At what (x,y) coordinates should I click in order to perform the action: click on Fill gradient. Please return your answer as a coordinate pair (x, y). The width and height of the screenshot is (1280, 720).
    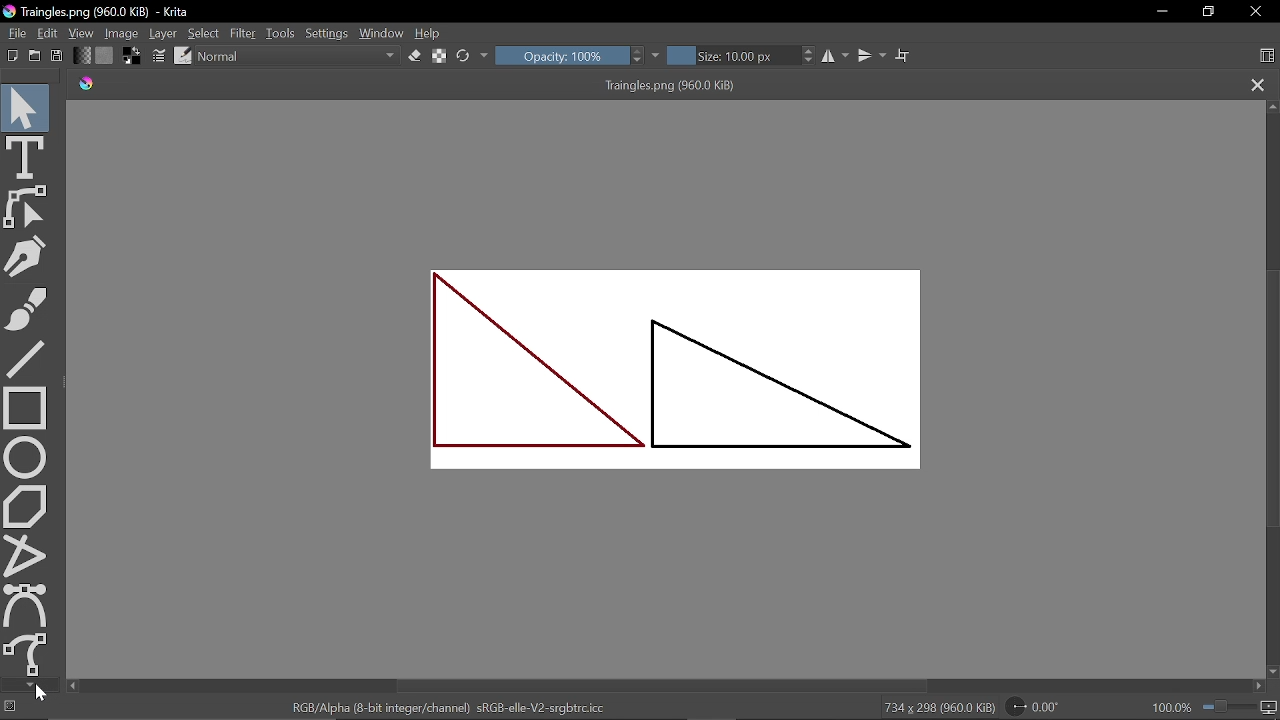
    Looking at the image, I should click on (82, 55).